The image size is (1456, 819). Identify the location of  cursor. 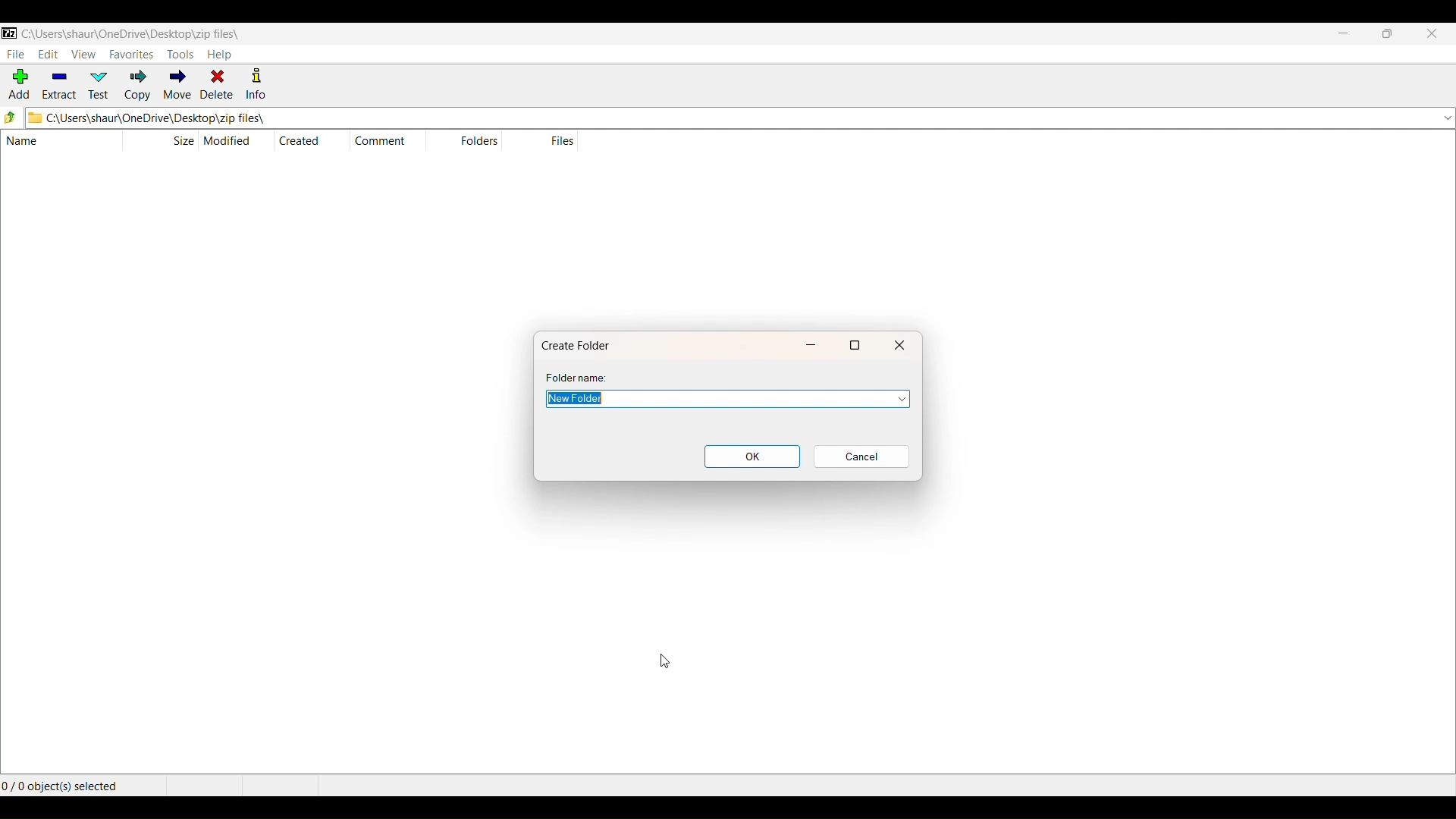
(666, 660).